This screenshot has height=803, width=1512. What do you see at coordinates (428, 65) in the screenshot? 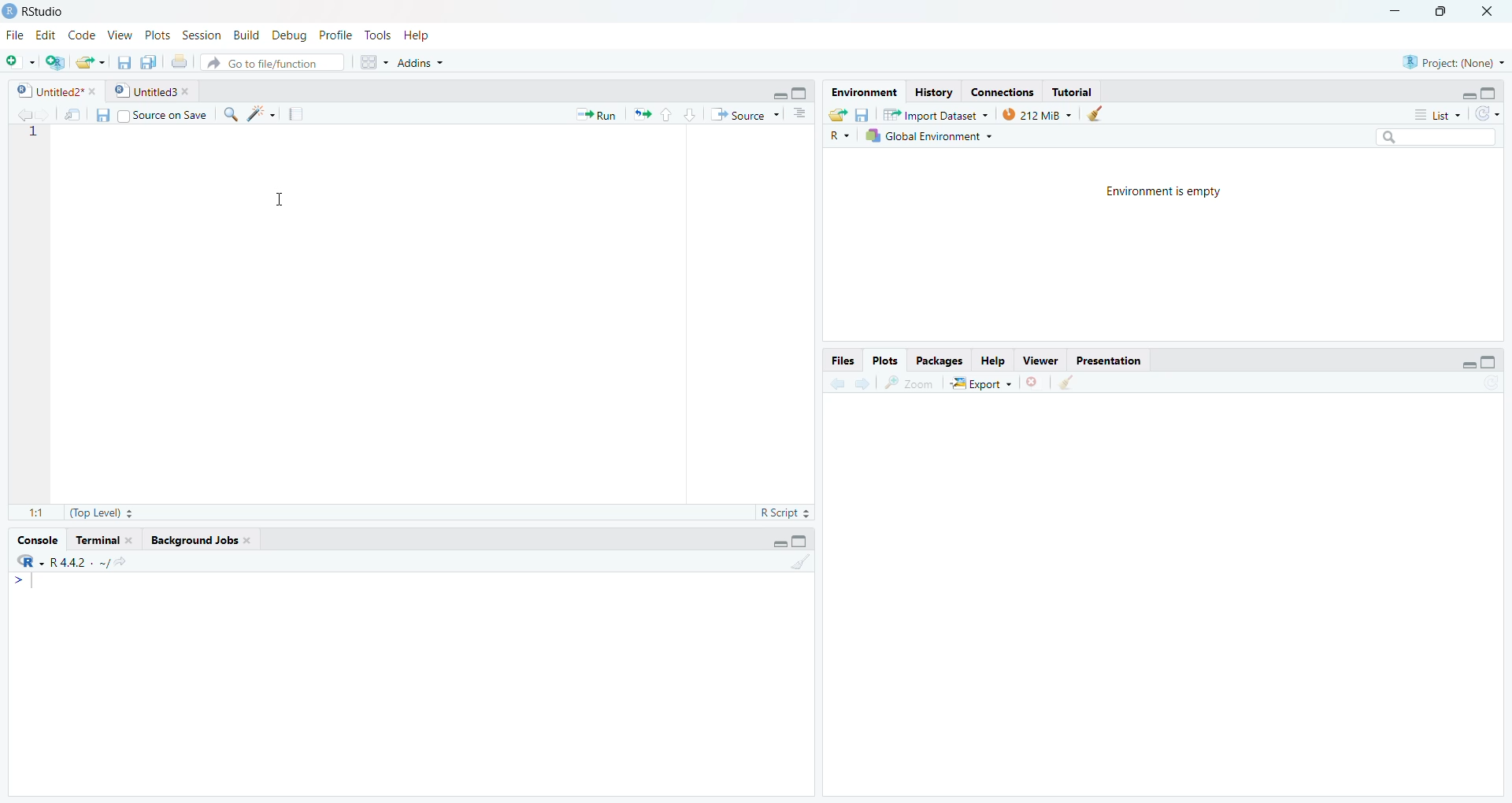
I see `addins` at bounding box center [428, 65].